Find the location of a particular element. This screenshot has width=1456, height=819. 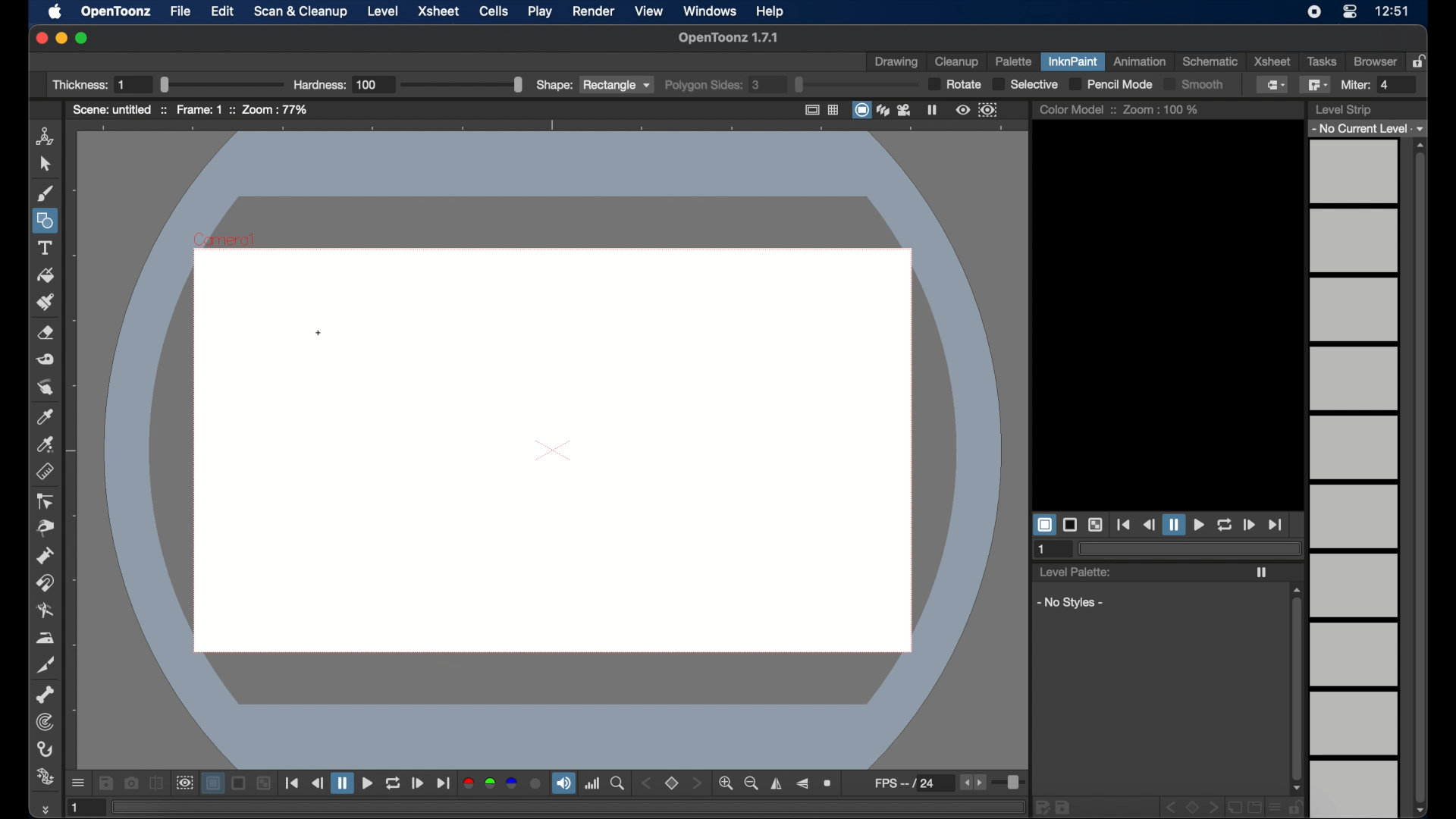

zoom out is located at coordinates (752, 783).